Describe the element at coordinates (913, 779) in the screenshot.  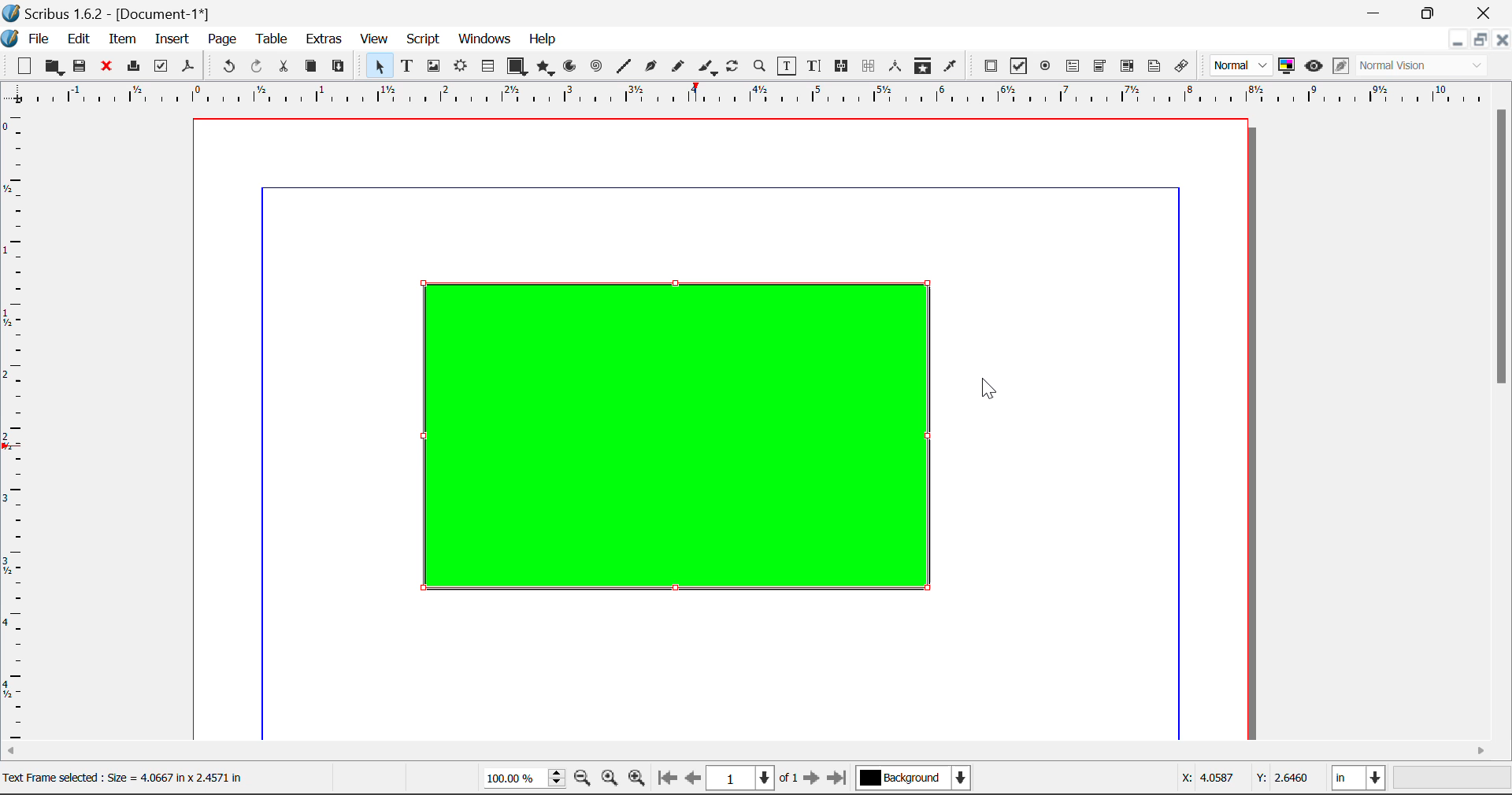
I see `Background` at that location.